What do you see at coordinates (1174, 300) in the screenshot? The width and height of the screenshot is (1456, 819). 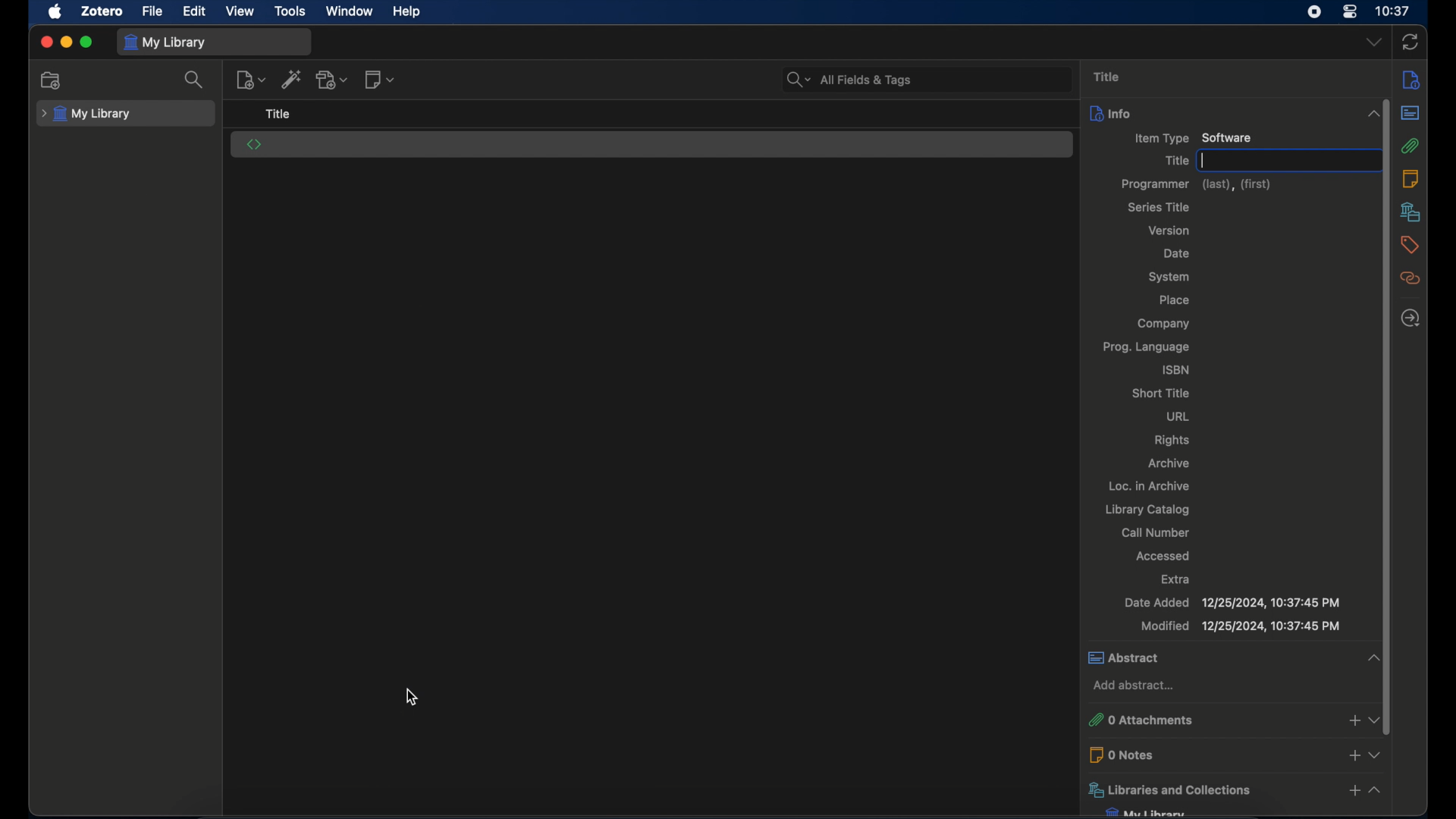 I see `lace` at bounding box center [1174, 300].